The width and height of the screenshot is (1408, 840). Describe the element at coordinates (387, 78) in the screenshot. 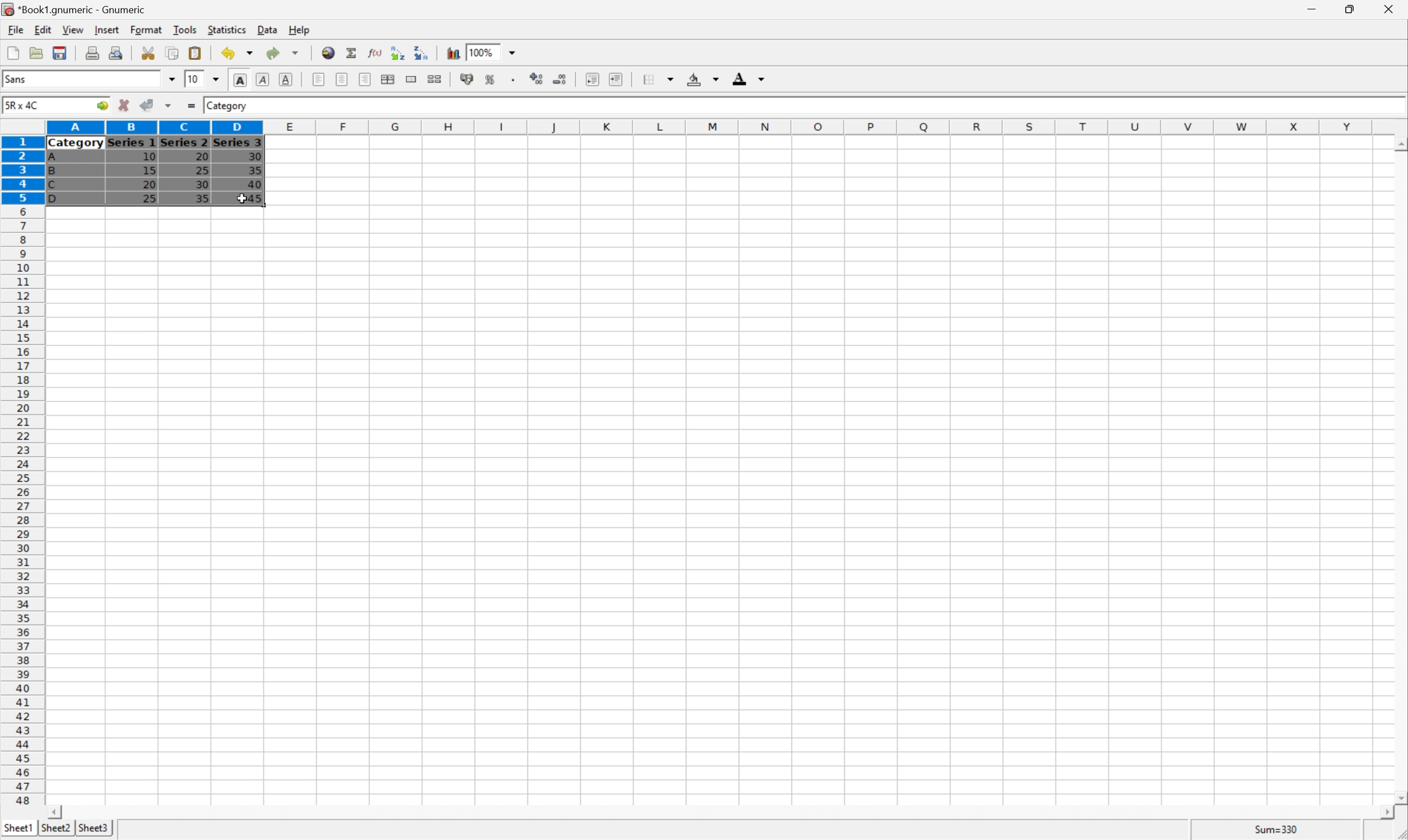

I see `Center horizontally across selection` at that location.